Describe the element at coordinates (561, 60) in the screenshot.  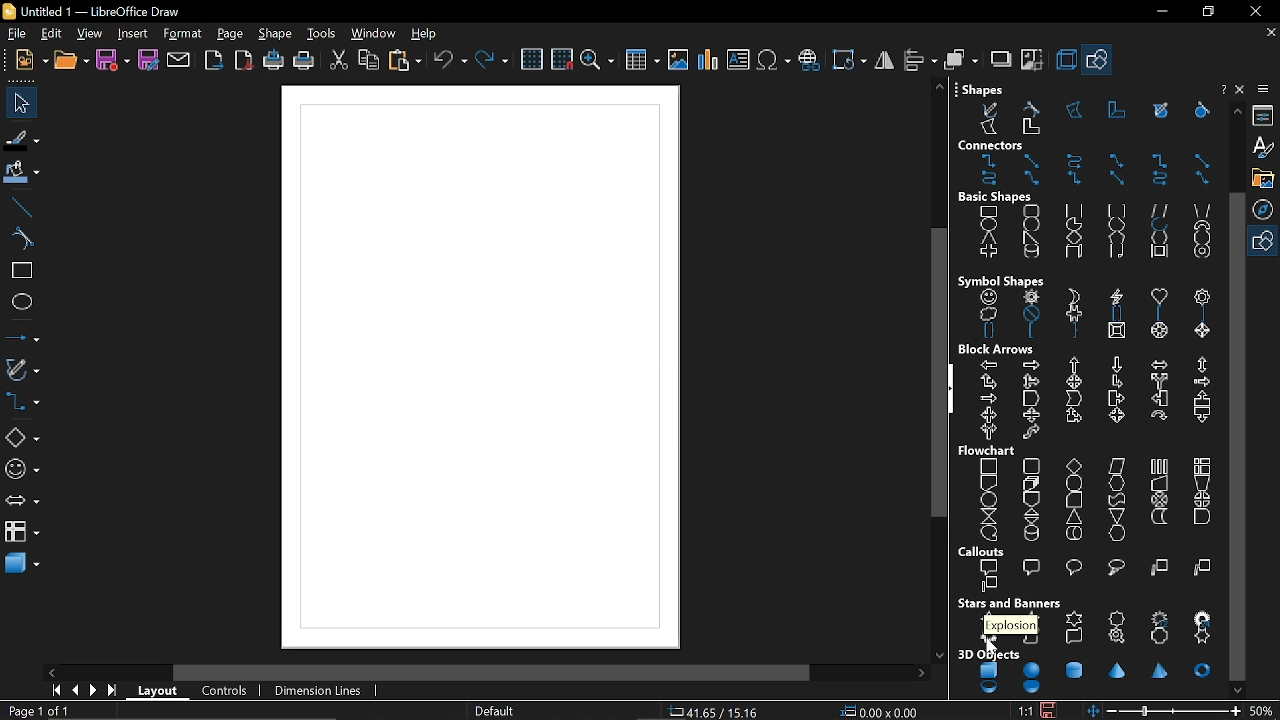
I see `snap to grid` at that location.